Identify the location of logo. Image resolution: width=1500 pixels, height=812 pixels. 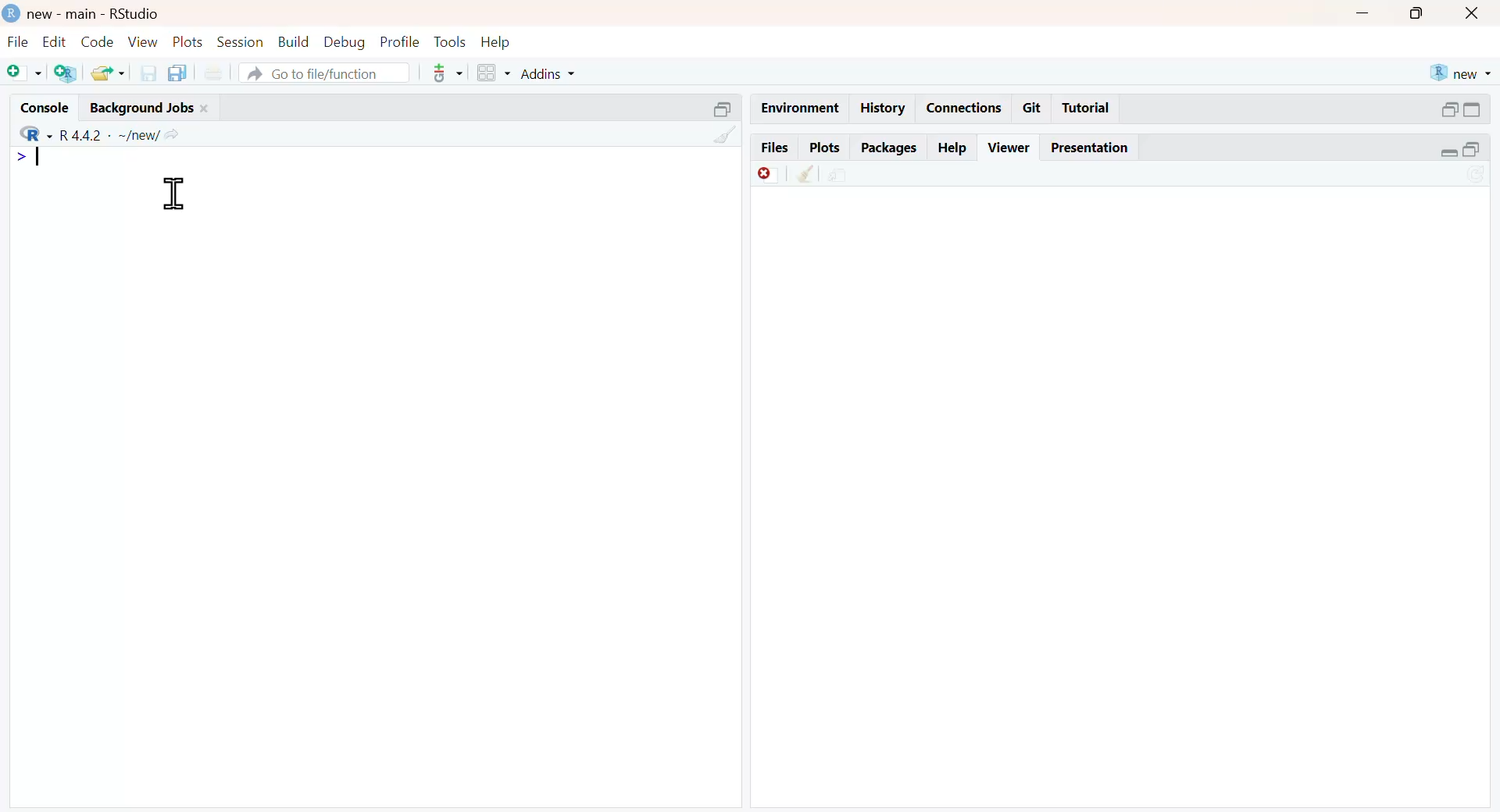
(12, 13).